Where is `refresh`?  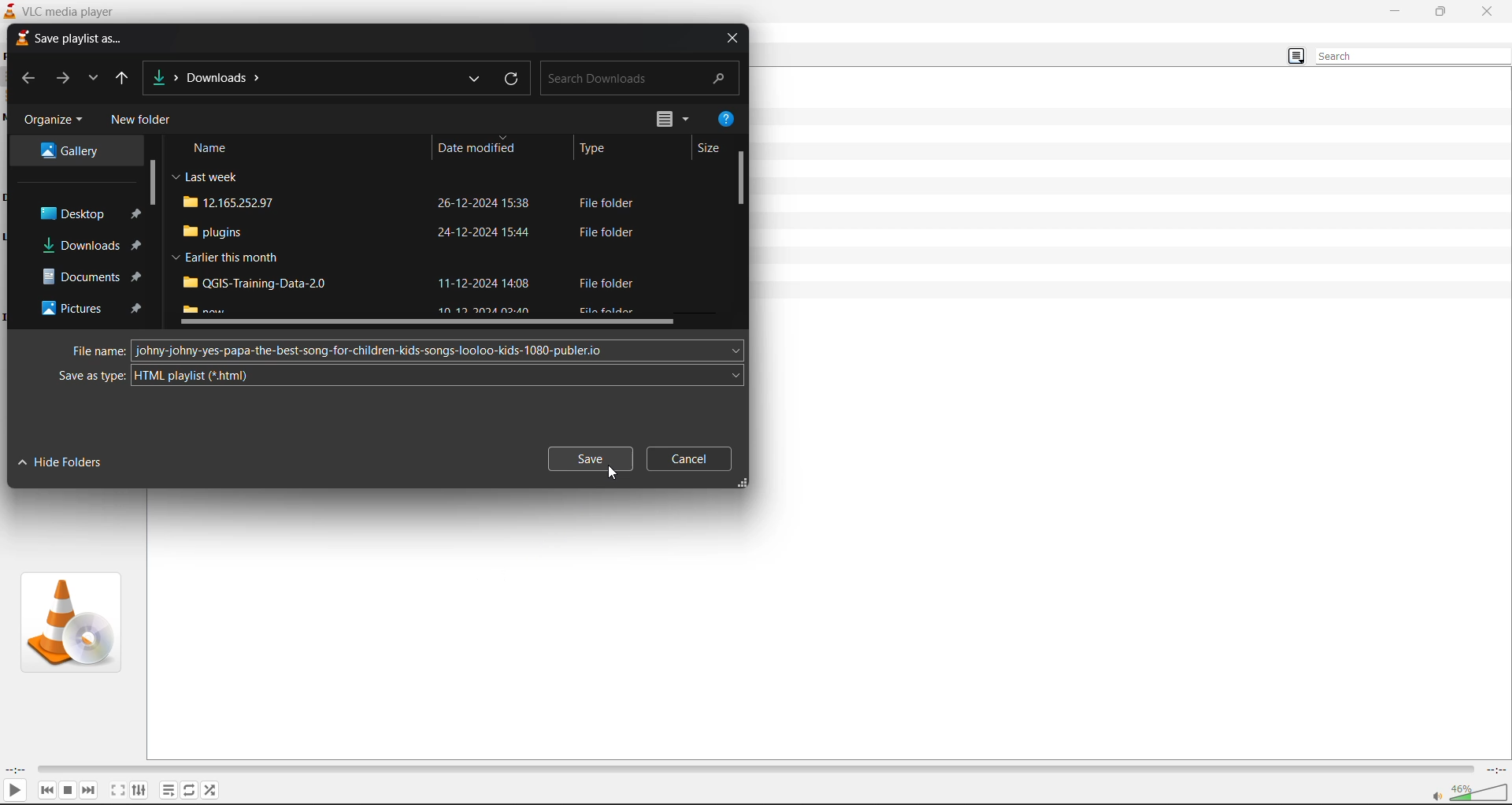
refresh is located at coordinates (513, 80).